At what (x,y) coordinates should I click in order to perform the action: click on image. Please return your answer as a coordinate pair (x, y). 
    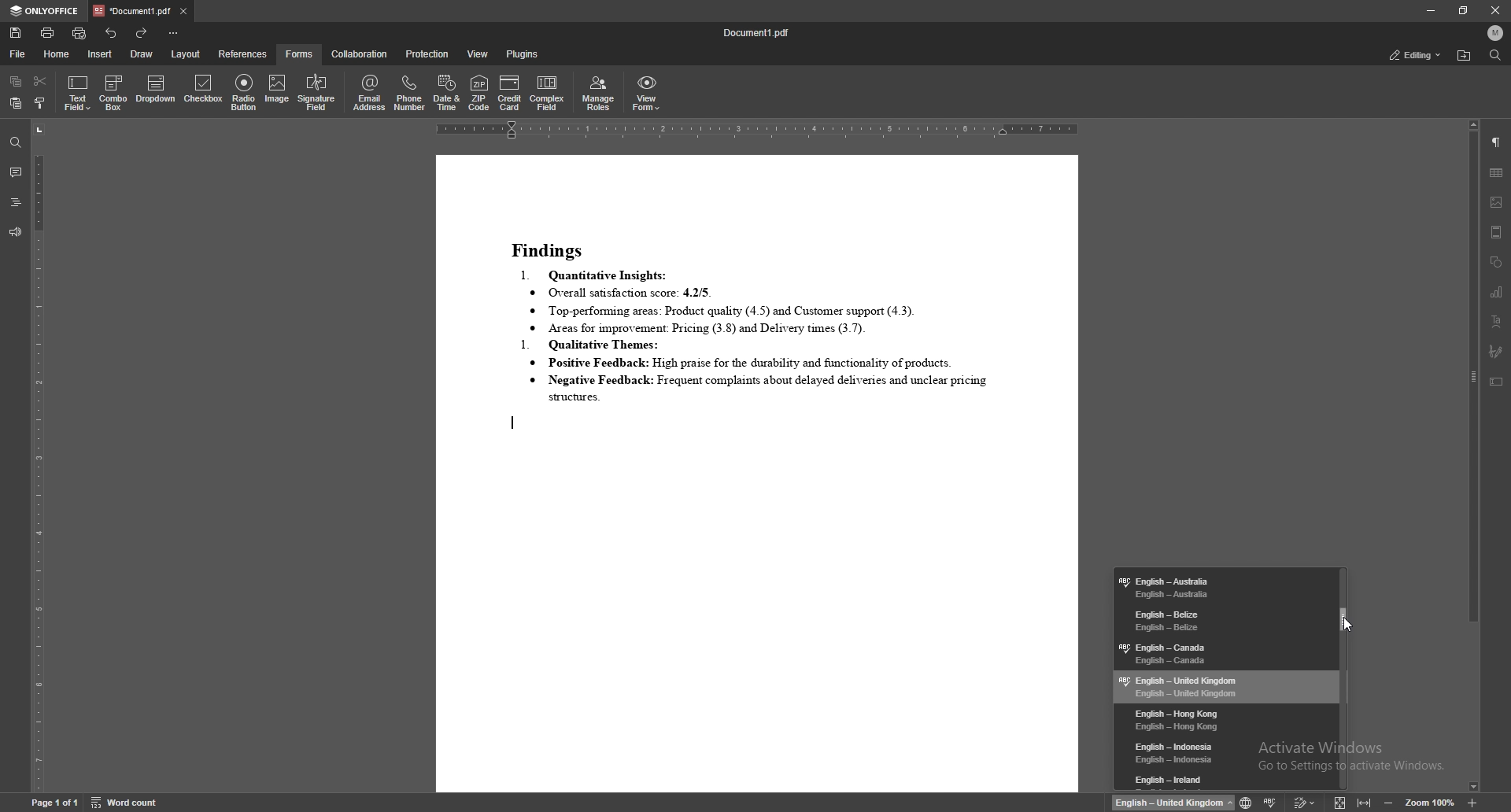
    Looking at the image, I should click on (1497, 202).